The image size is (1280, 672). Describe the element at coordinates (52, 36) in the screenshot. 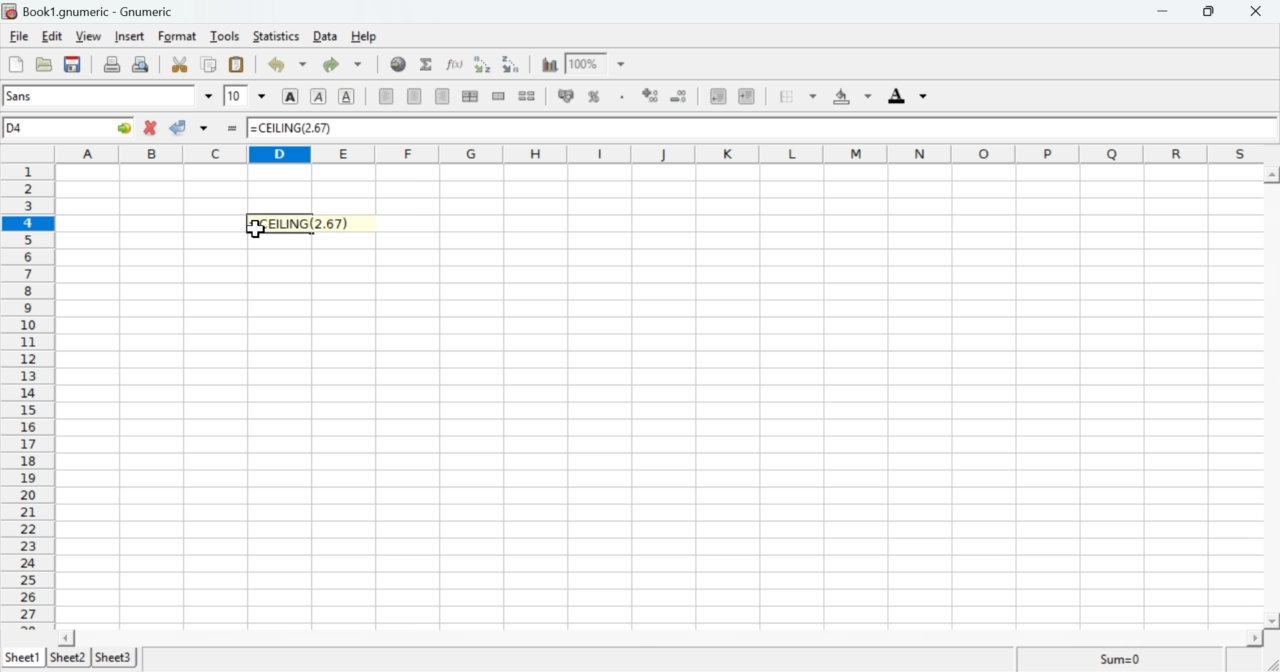

I see `Edit` at that location.